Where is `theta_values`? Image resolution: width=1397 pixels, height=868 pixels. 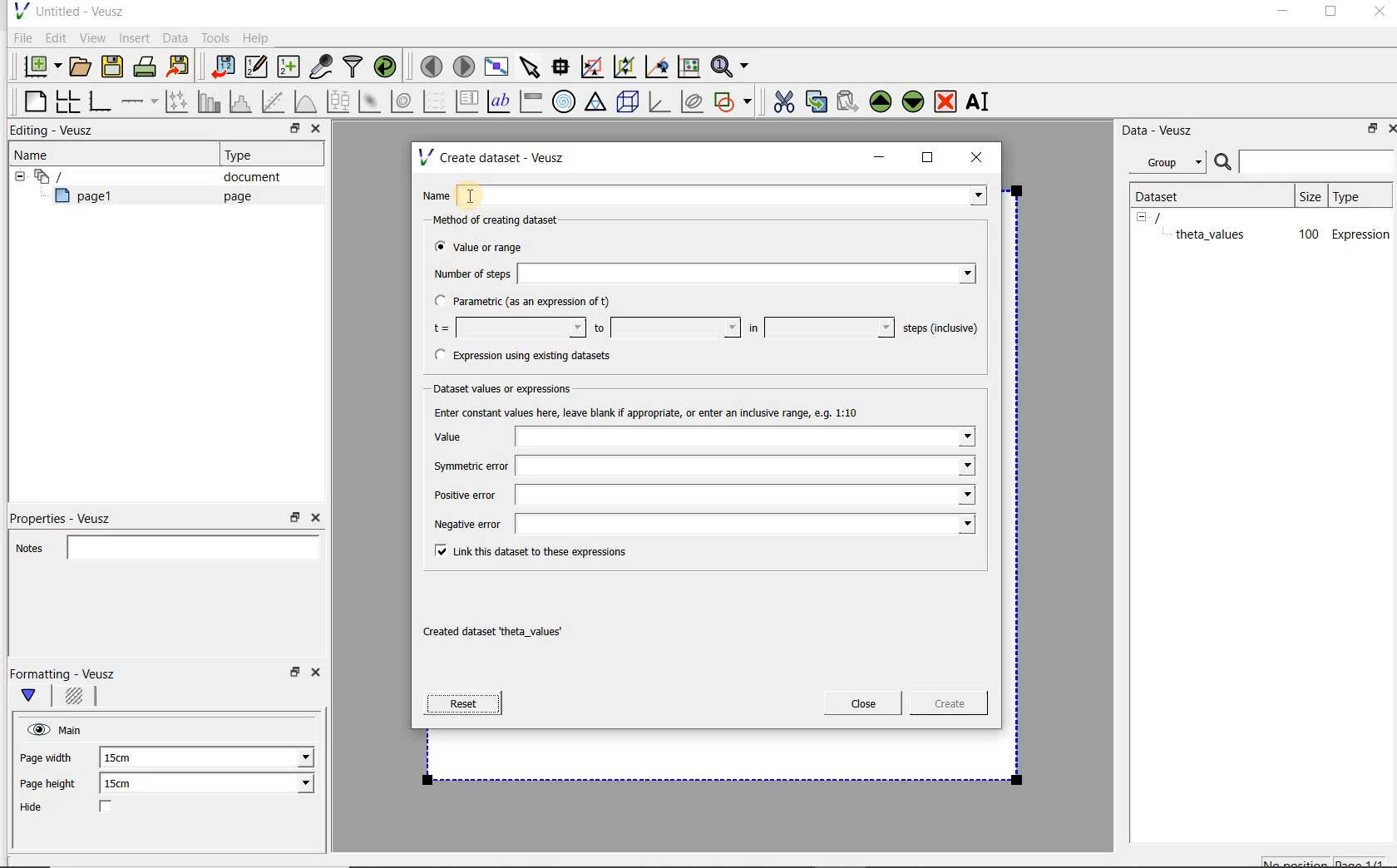 theta_values is located at coordinates (1212, 234).